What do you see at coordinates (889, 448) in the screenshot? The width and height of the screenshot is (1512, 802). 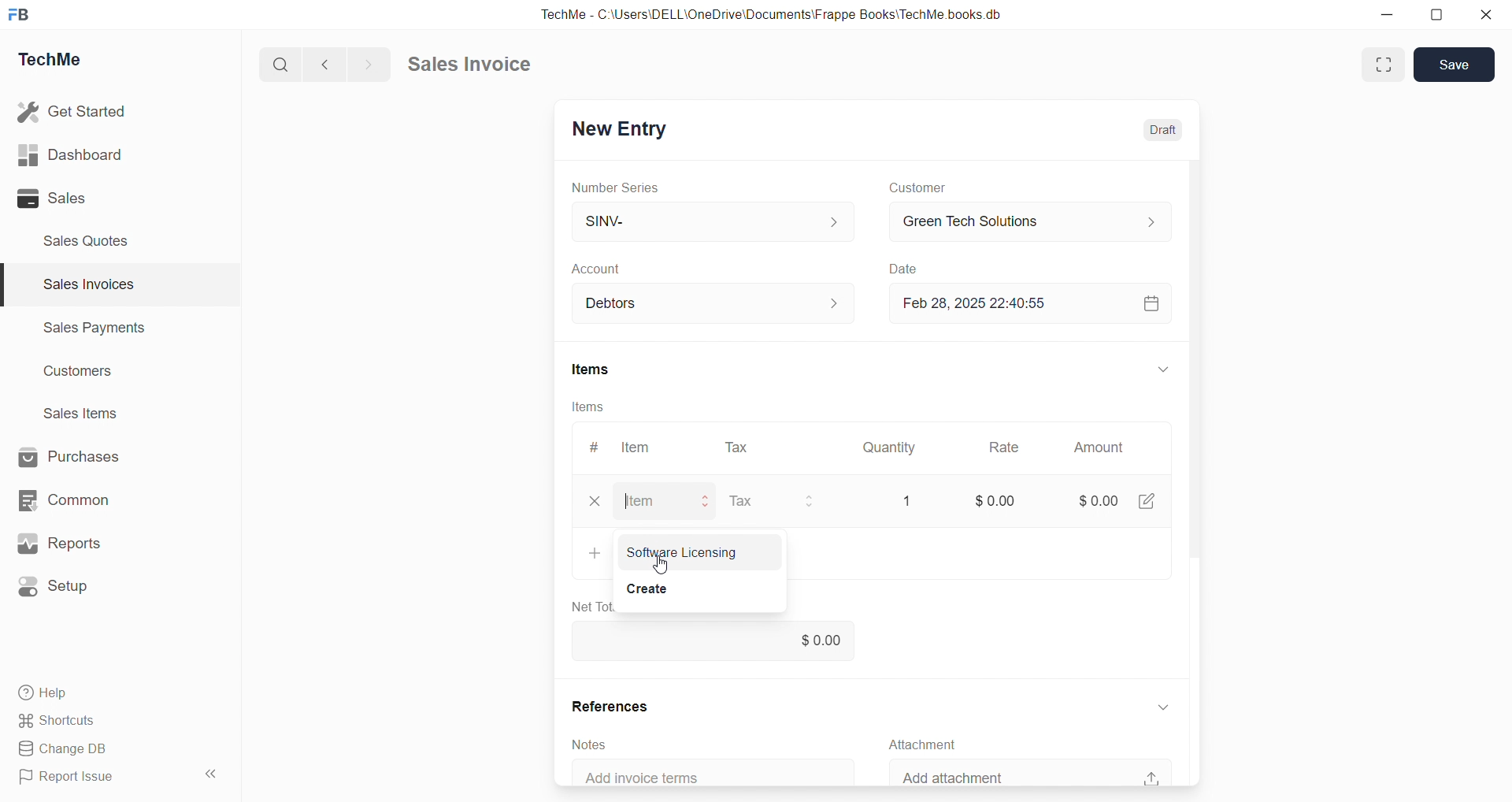 I see `Quantity` at bounding box center [889, 448].